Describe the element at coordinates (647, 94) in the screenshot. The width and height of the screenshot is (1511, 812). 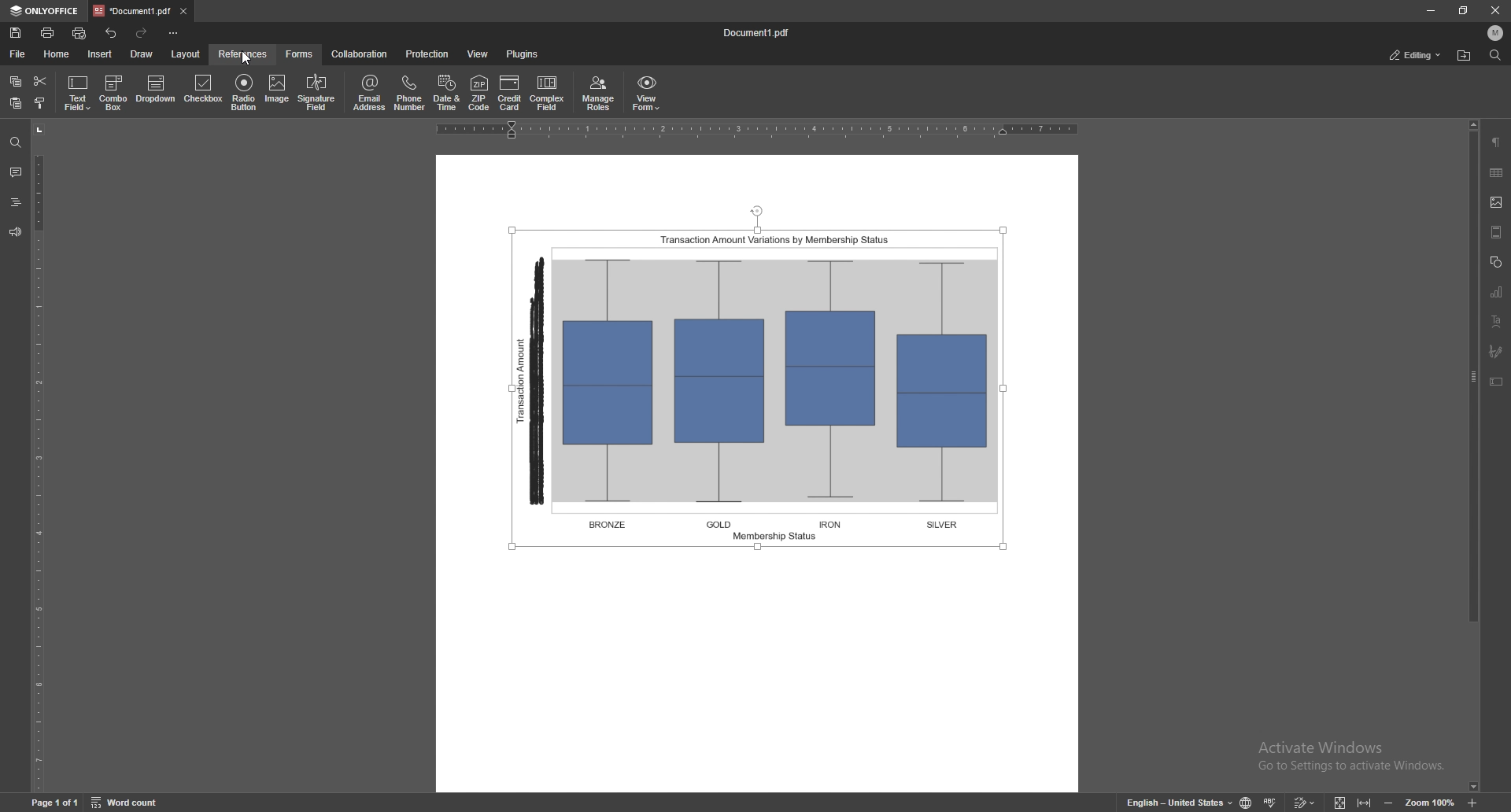
I see `view form` at that location.